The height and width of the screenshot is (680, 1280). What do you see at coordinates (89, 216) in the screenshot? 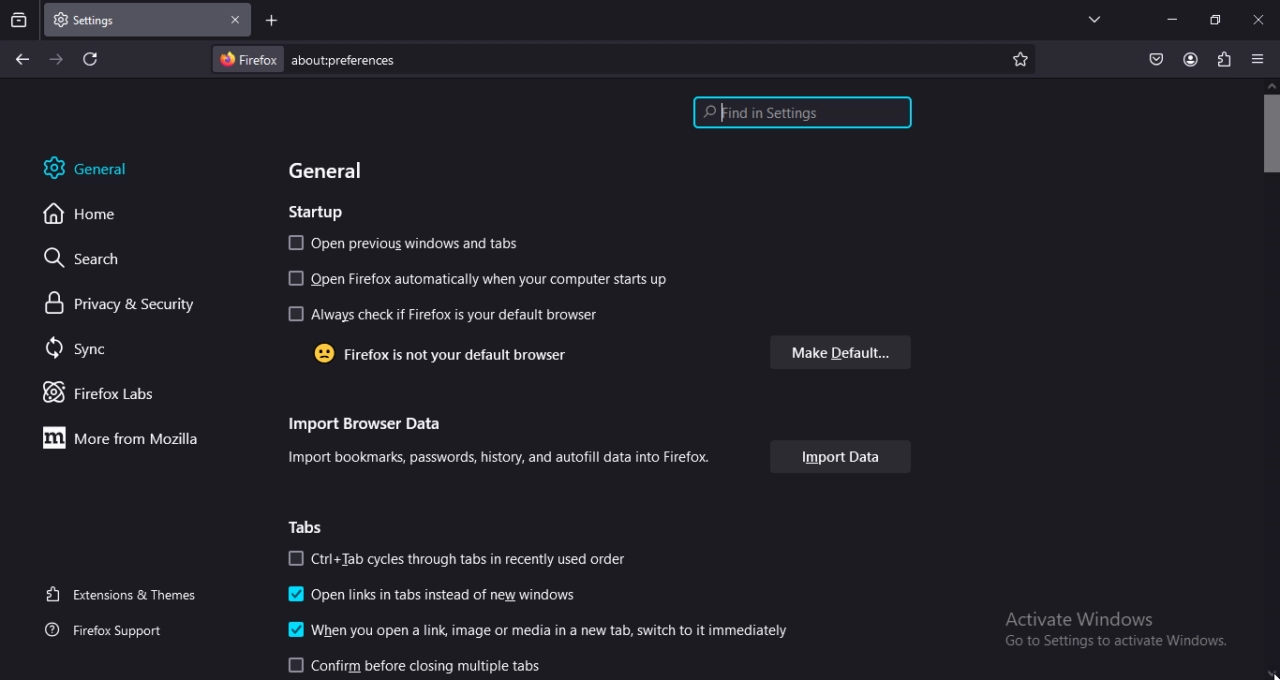
I see `home` at bounding box center [89, 216].